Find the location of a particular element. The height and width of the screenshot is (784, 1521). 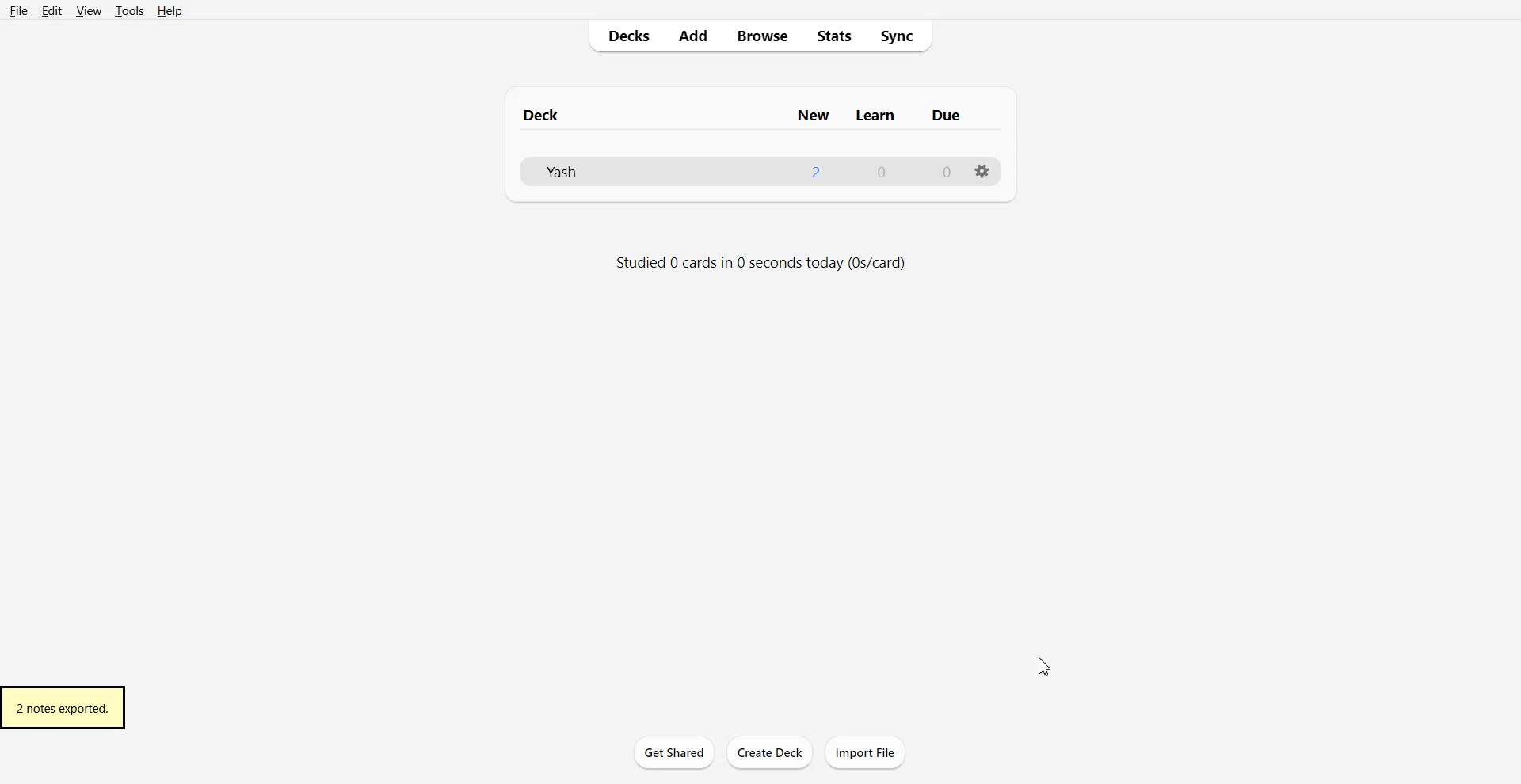

due is located at coordinates (947, 116).